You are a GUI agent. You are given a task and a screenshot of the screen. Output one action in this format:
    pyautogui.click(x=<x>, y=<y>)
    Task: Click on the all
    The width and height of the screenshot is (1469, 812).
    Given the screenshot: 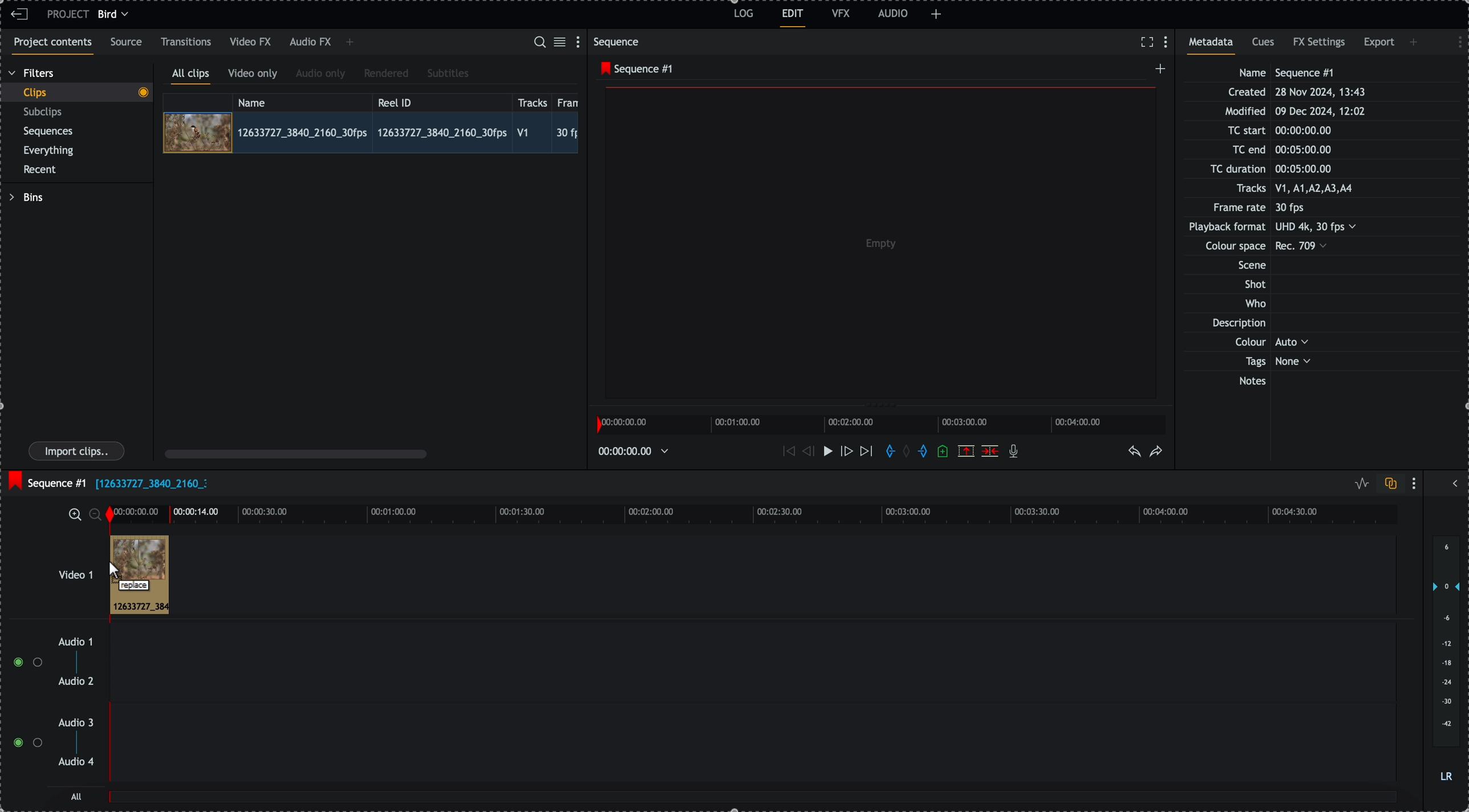 What is the action you would take?
    pyautogui.click(x=77, y=796)
    